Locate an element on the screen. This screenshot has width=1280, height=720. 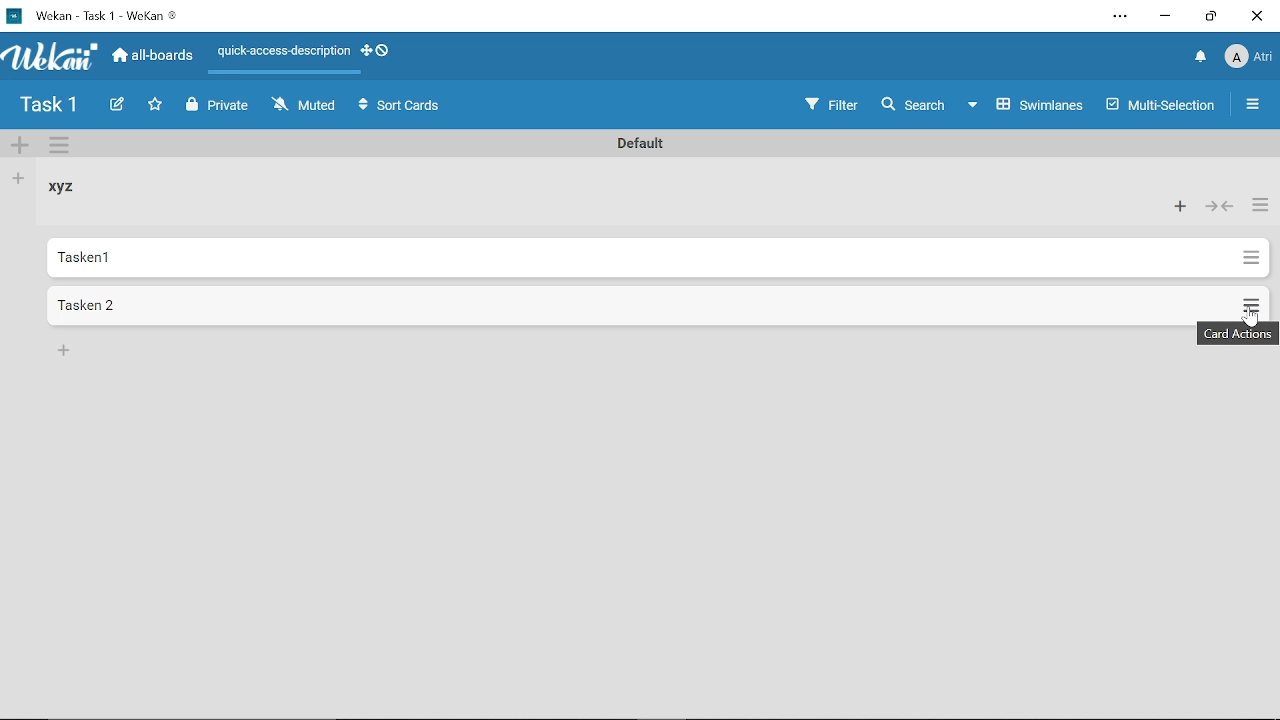
Cursor is located at coordinates (1254, 317).